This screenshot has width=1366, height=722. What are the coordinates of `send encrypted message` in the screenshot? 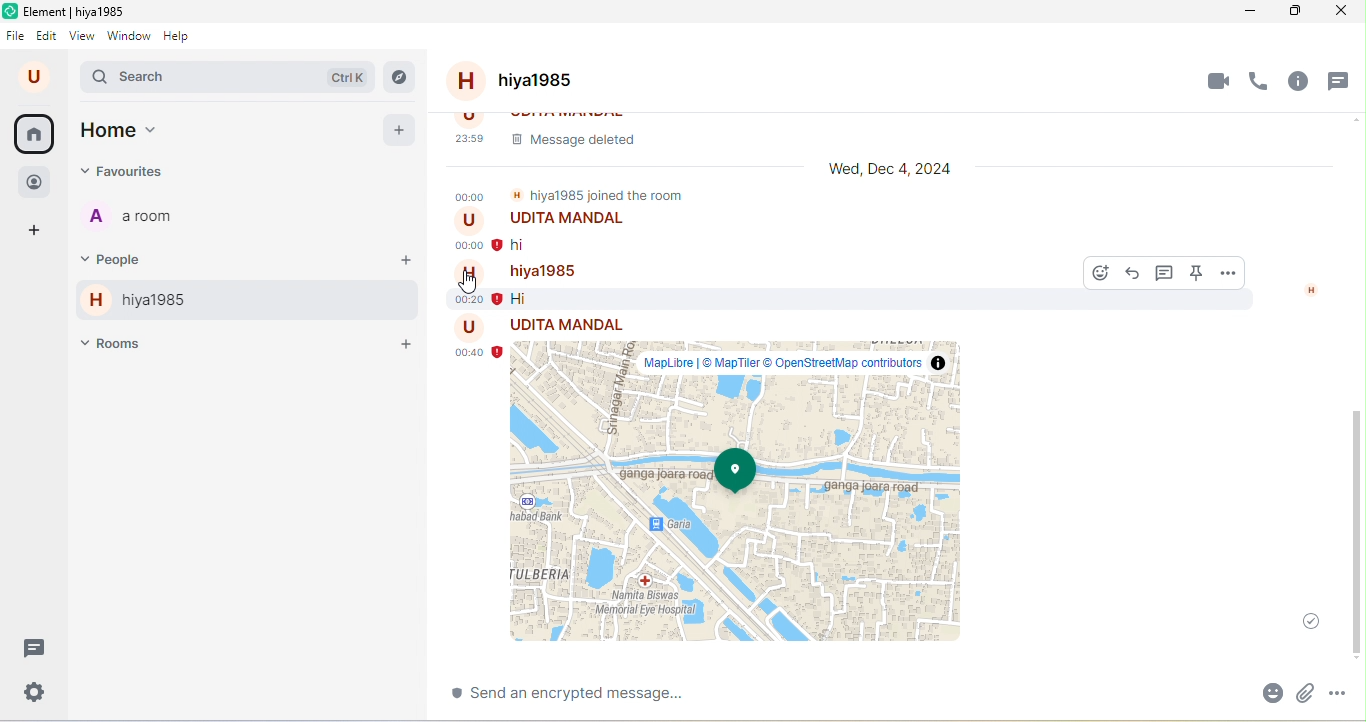 It's located at (616, 694).